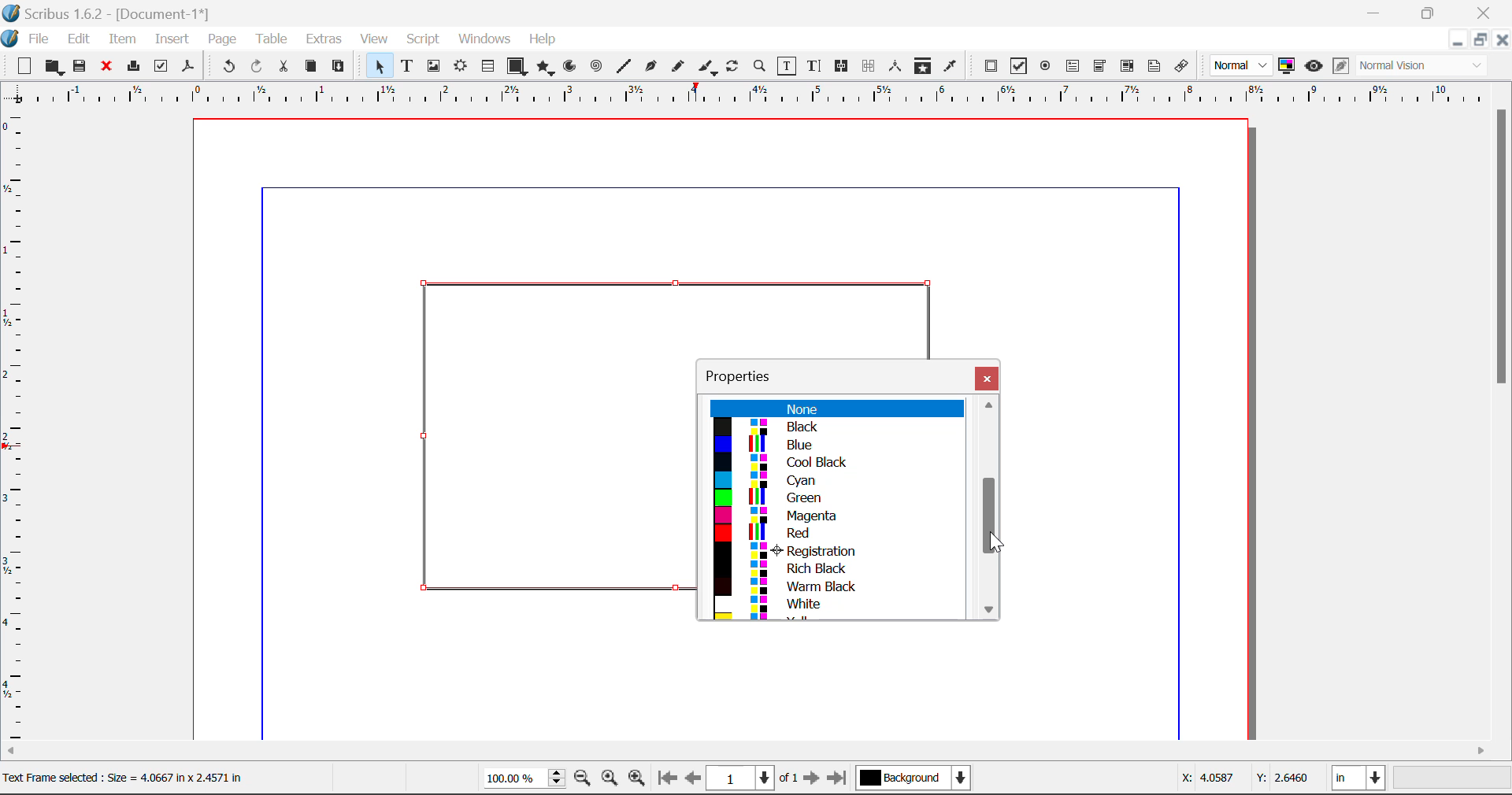 The width and height of the screenshot is (1512, 795). I want to click on Preview Mode, so click(1242, 66).